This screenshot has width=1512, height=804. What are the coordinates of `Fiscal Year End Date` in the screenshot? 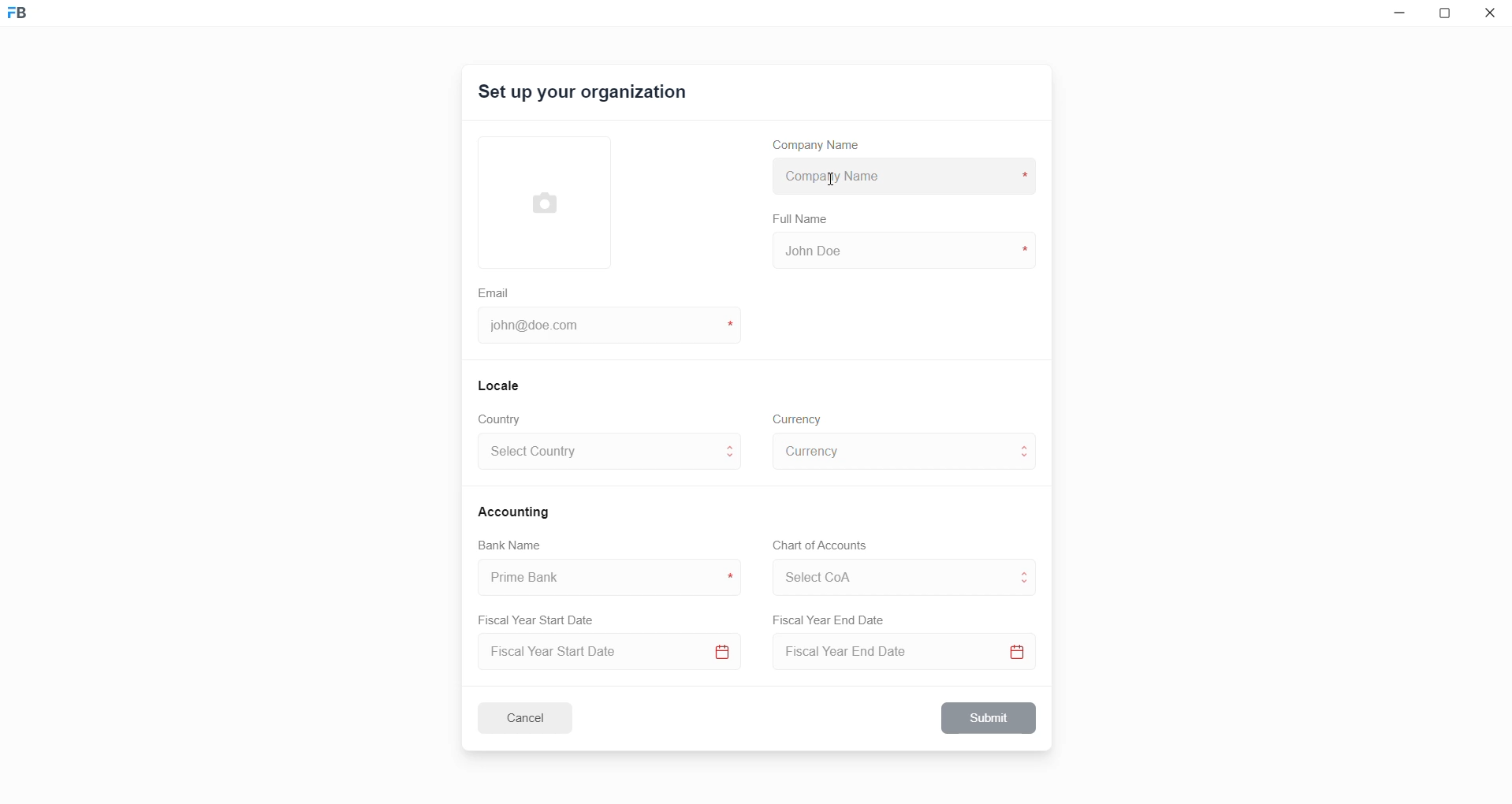 It's located at (830, 620).